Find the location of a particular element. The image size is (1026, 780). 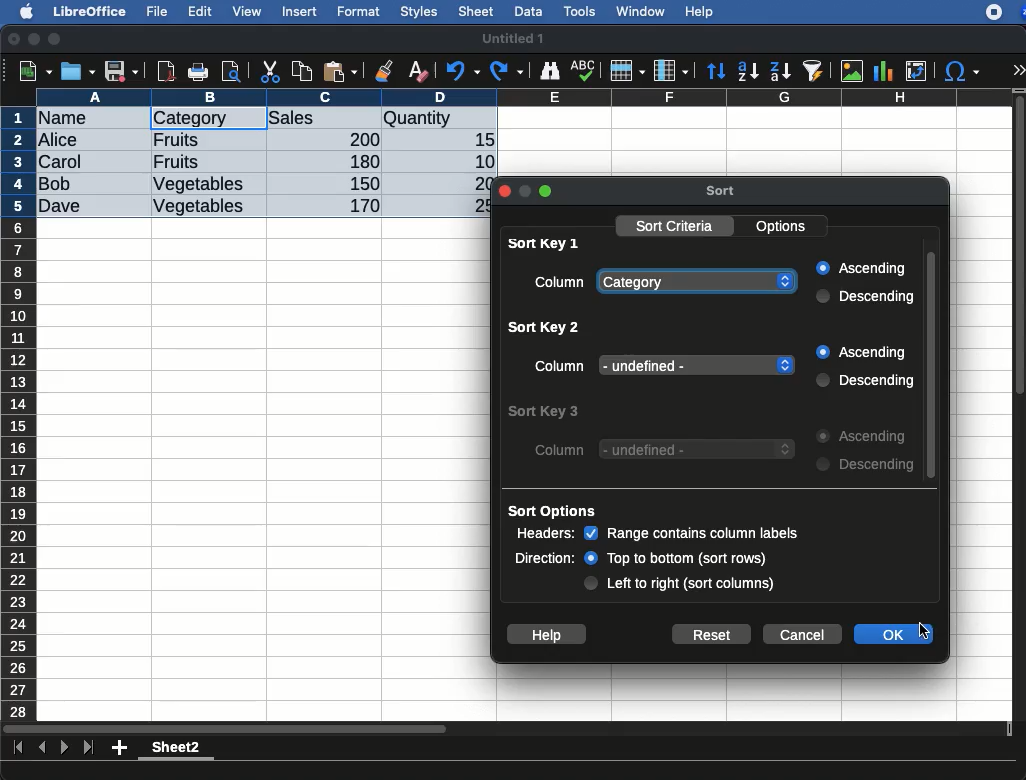

10 is located at coordinates (479, 160).